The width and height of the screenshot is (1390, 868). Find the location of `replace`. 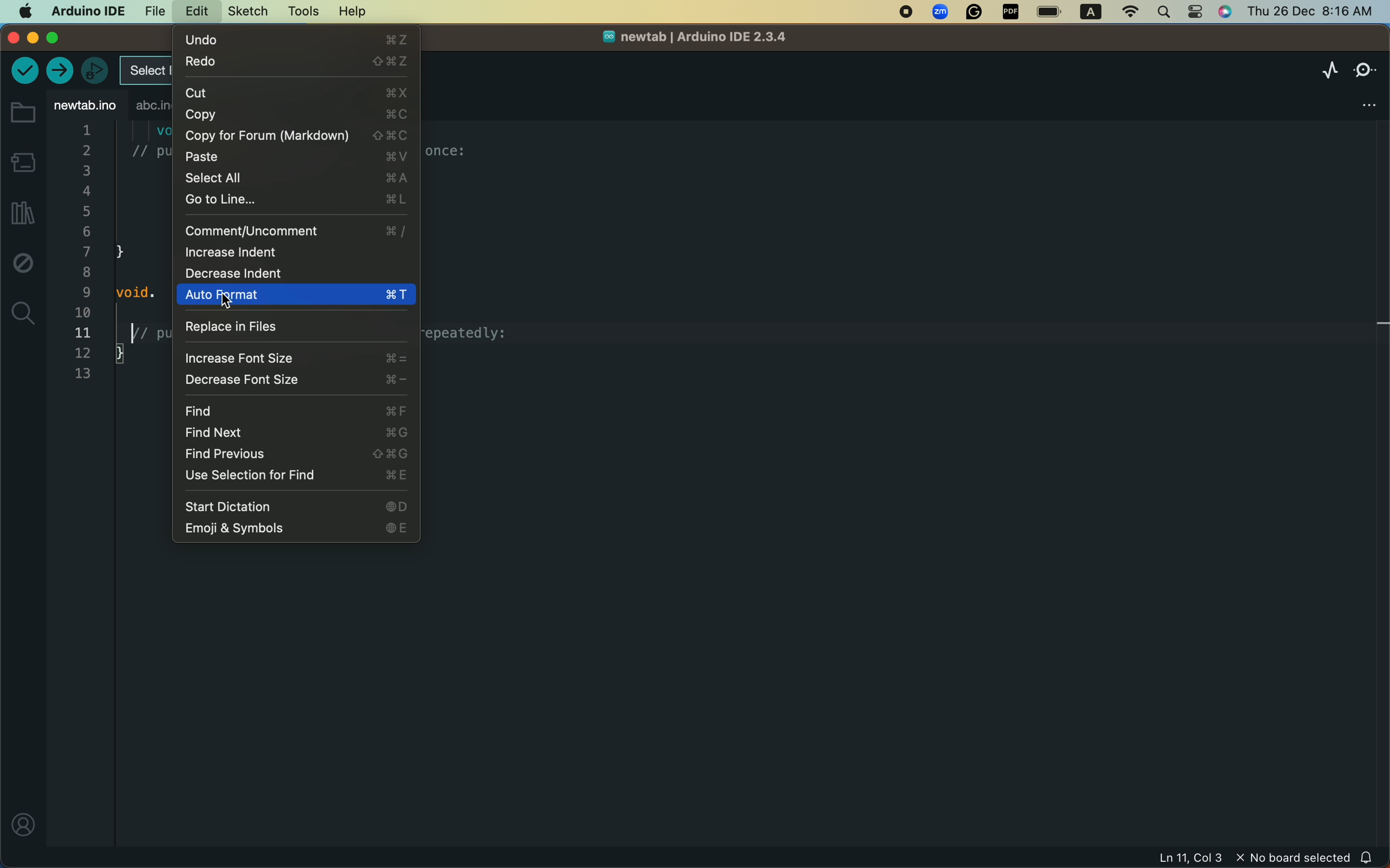

replace is located at coordinates (292, 327).